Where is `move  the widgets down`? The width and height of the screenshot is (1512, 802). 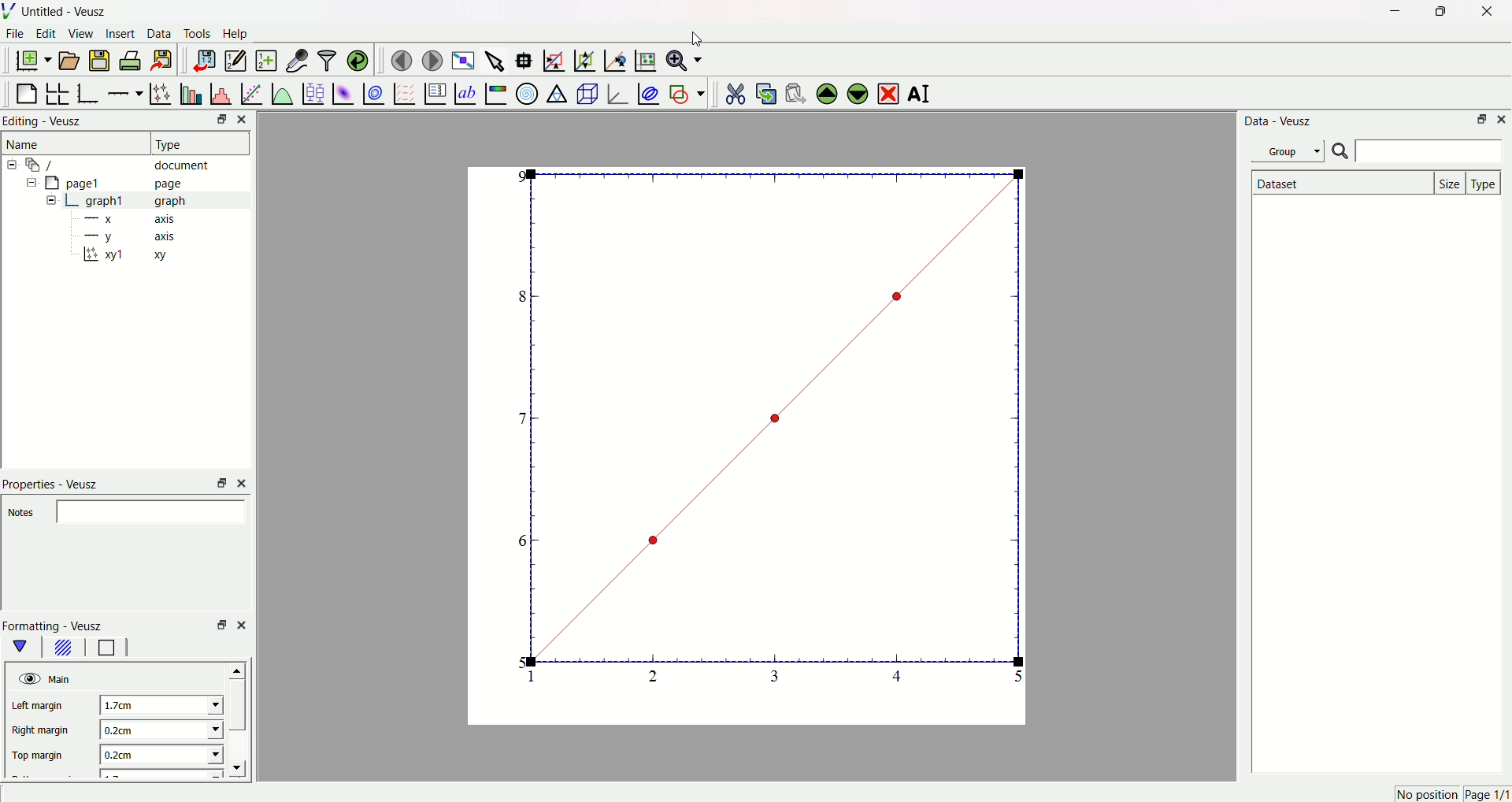 move  the widgets down is located at coordinates (855, 93).